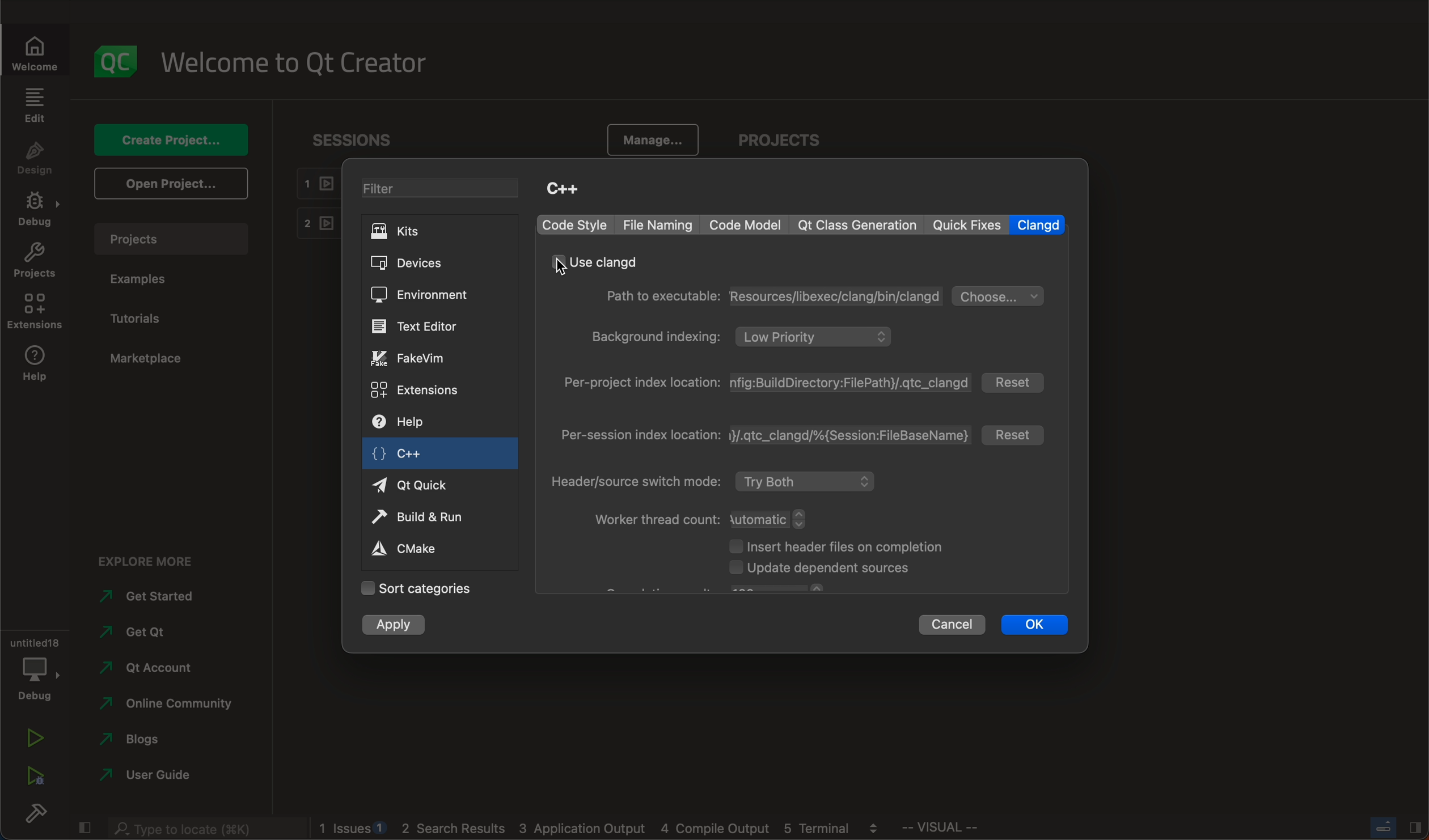  Describe the element at coordinates (35, 314) in the screenshot. I see `extensions` at that location.